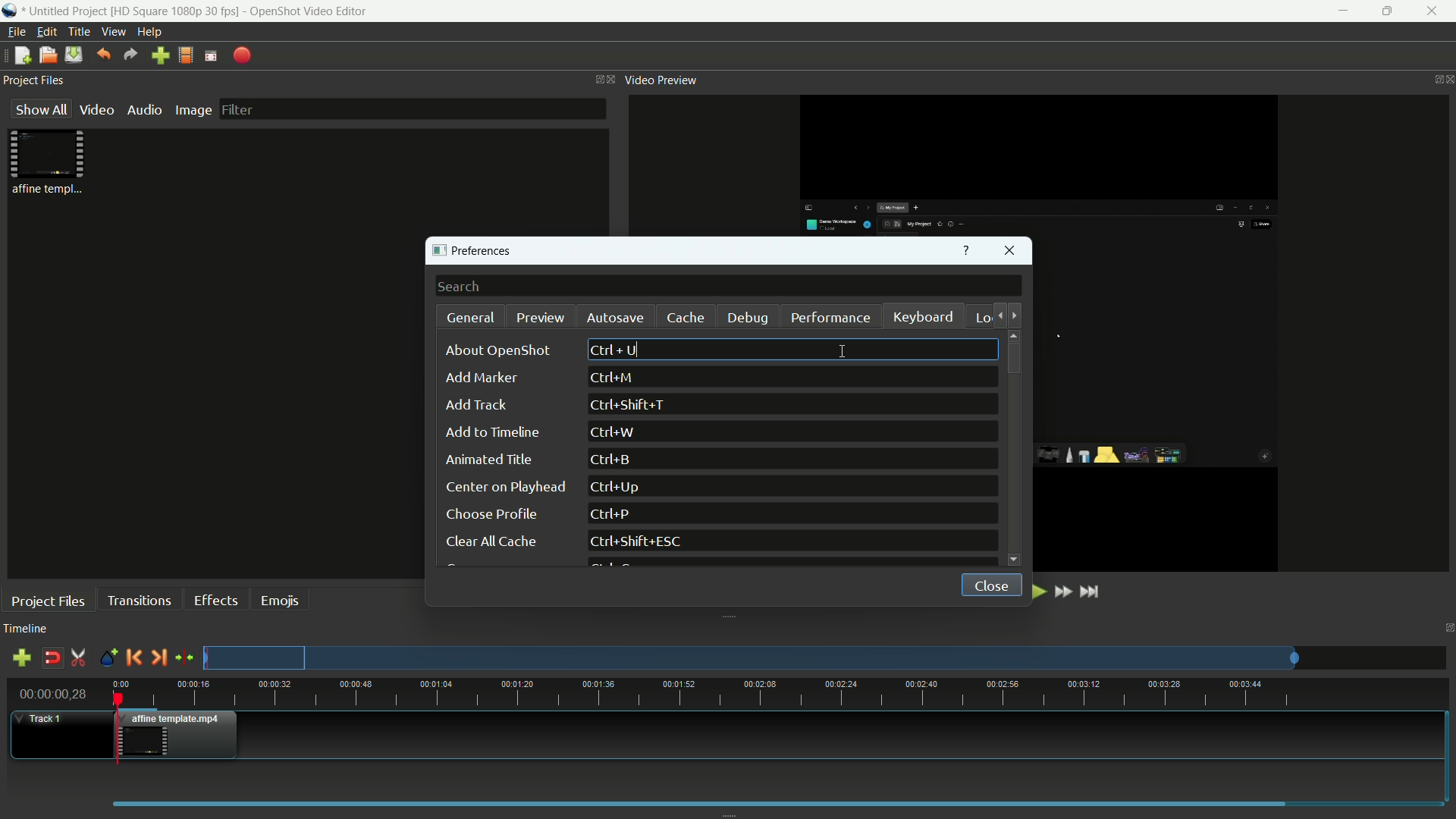  Describe the element at coordinates (243, 55) in the screenshot. I see `export` at that location.